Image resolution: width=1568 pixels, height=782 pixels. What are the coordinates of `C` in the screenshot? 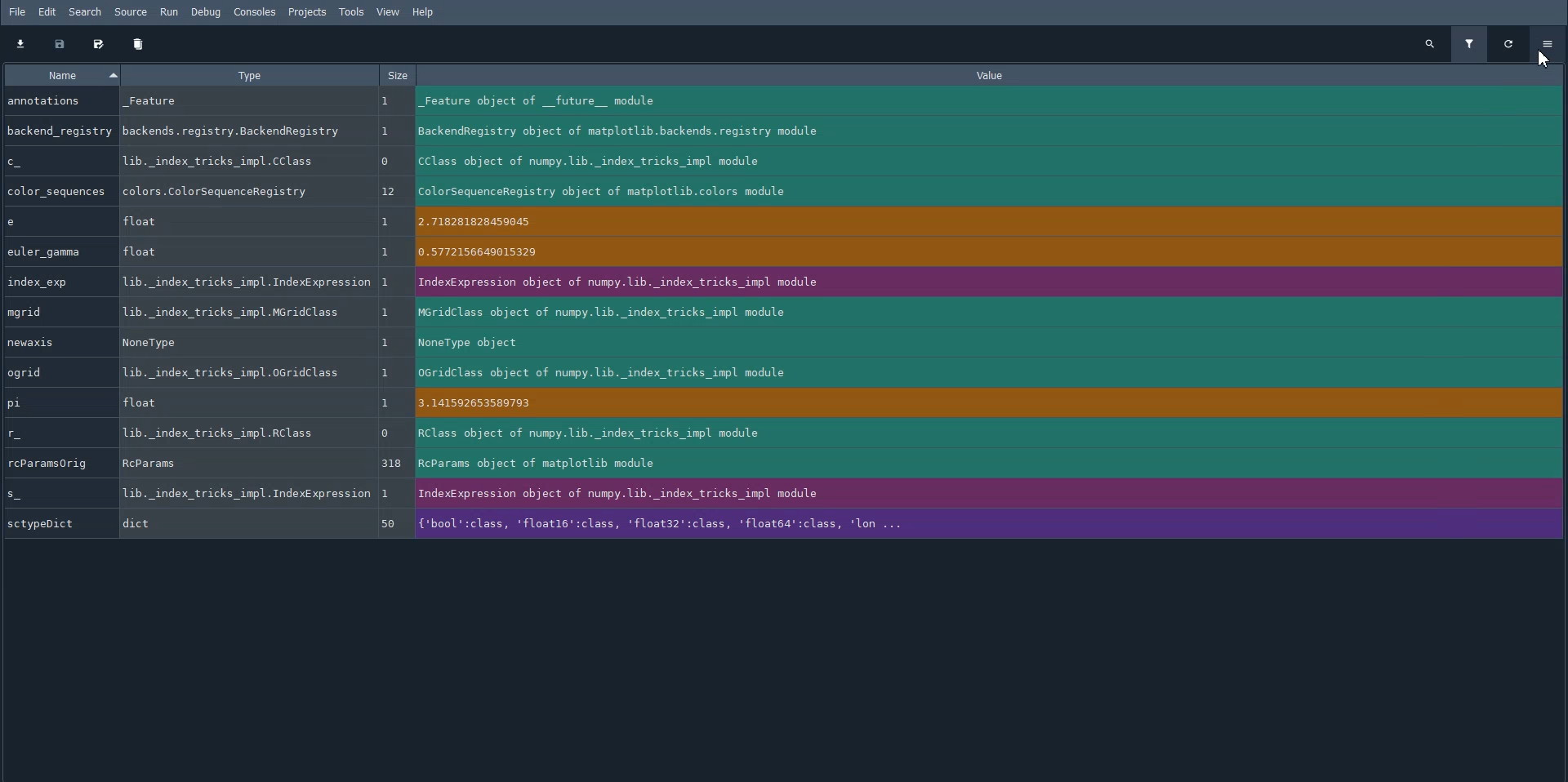 It's located at (59, 162).